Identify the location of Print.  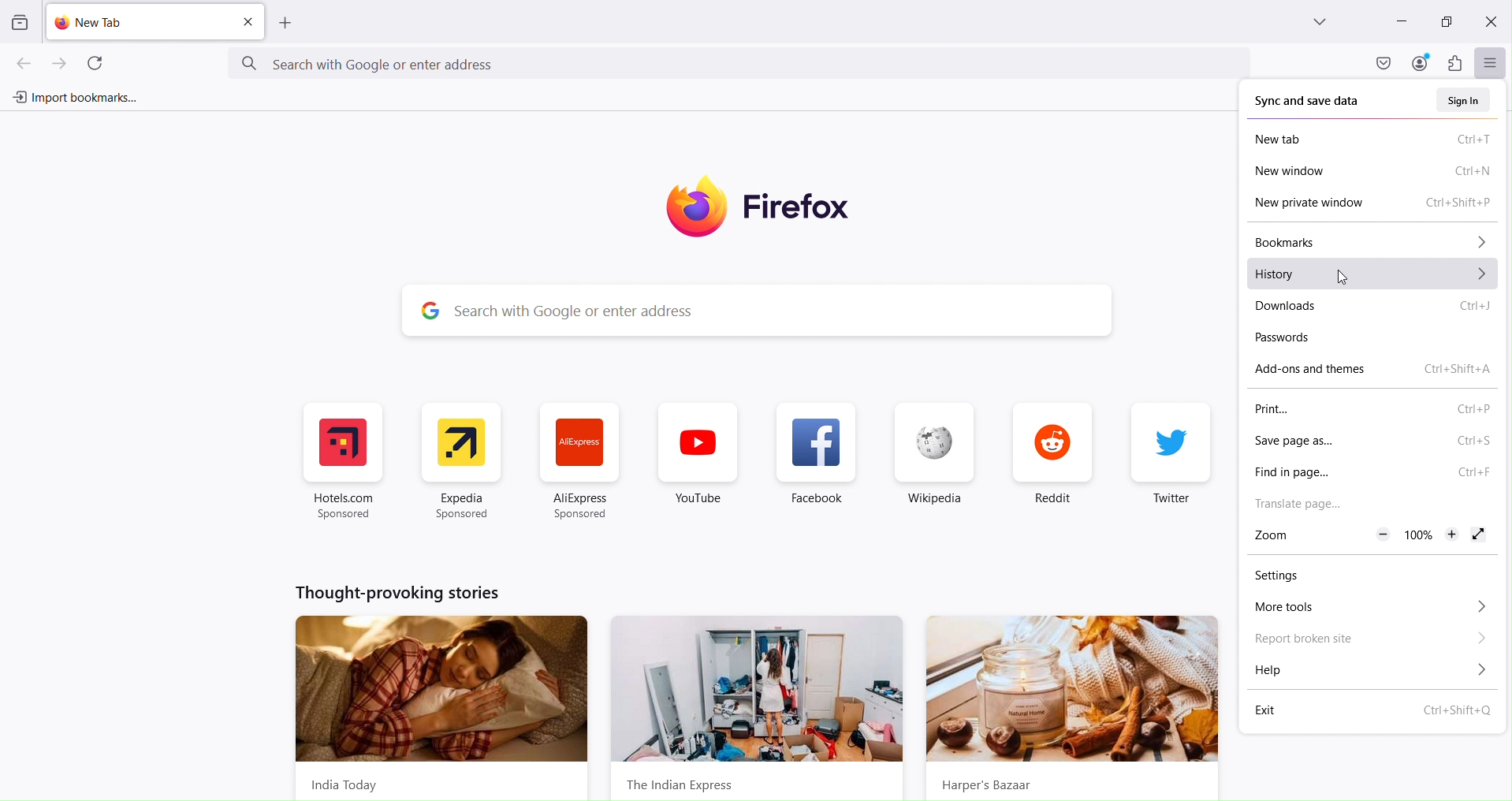
(1373, 408).